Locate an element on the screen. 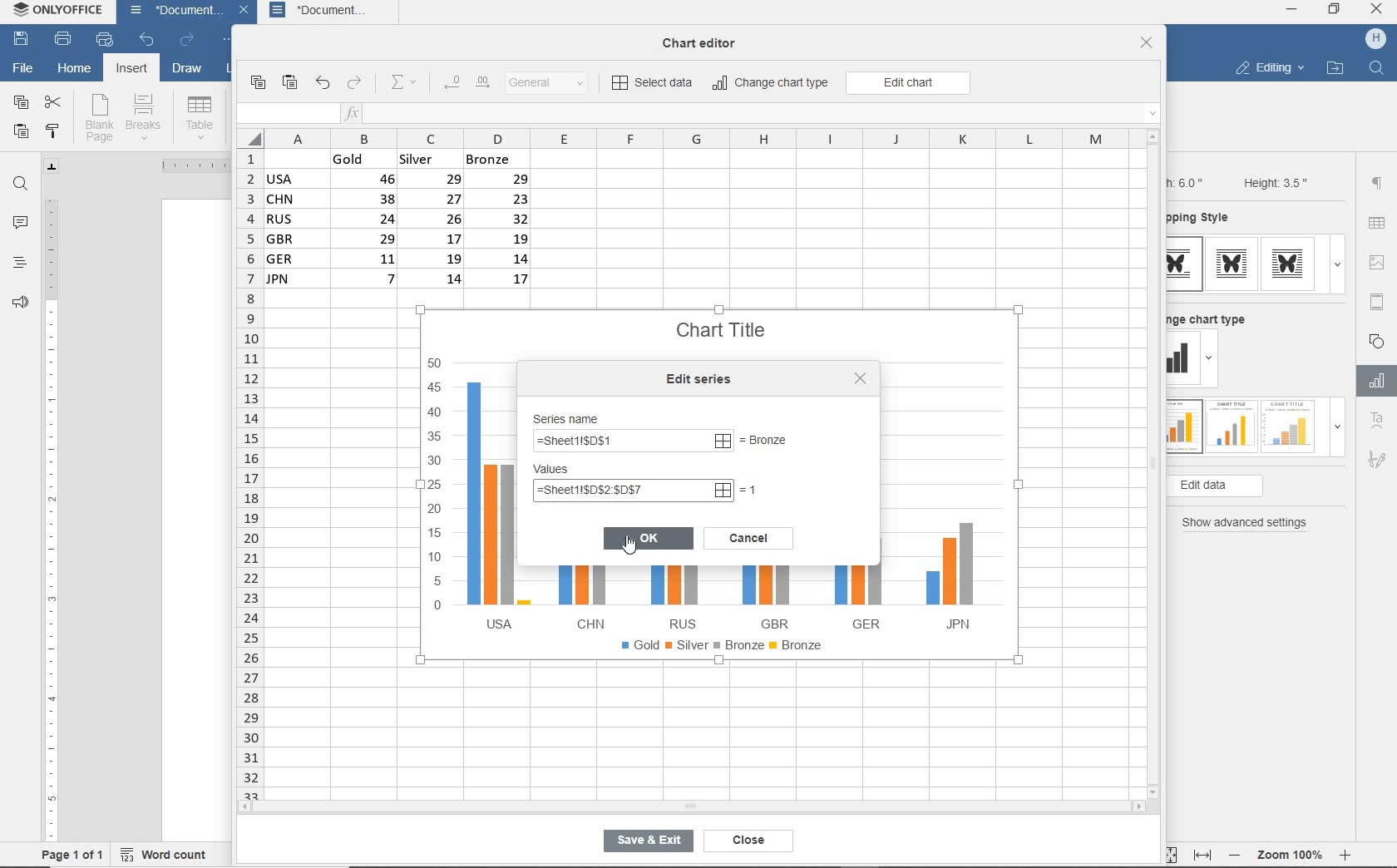 The image size is (1397, 868). close is located at coordinates (744, 841).